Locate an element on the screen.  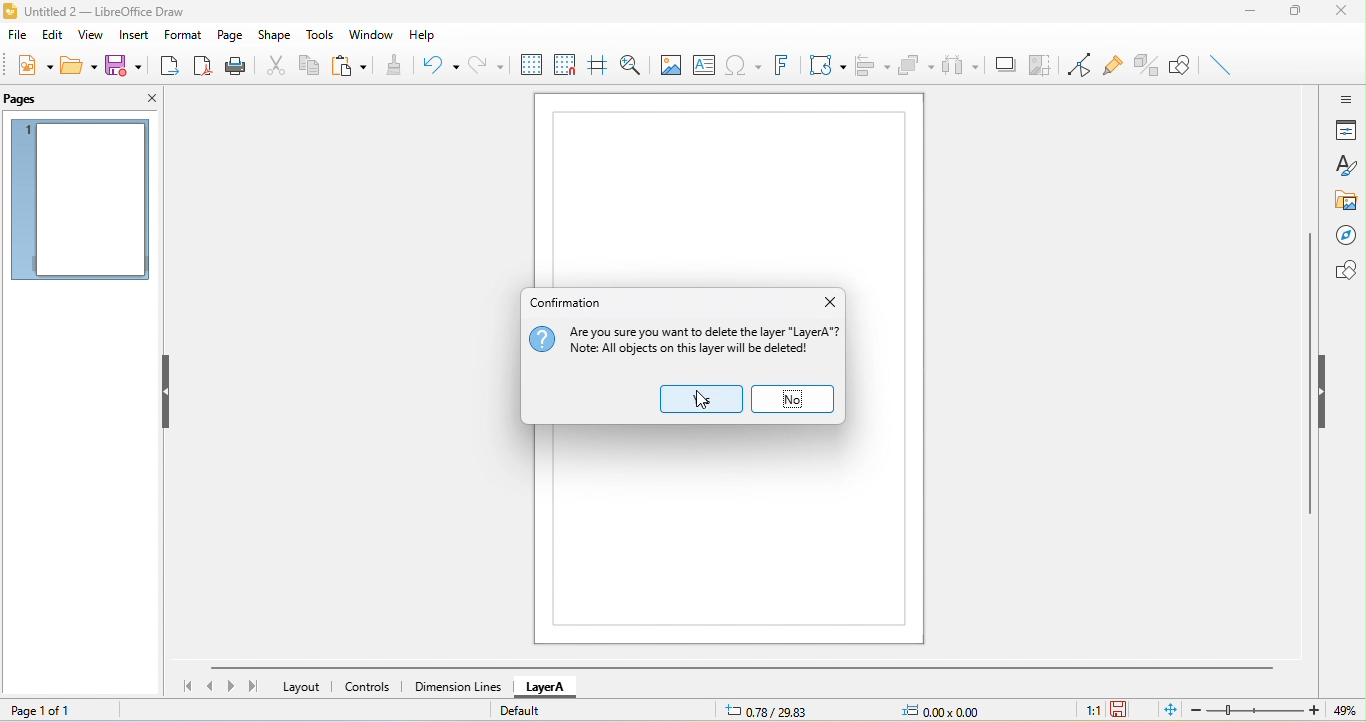
export directly as pdf is located at coordinates (202, 62).